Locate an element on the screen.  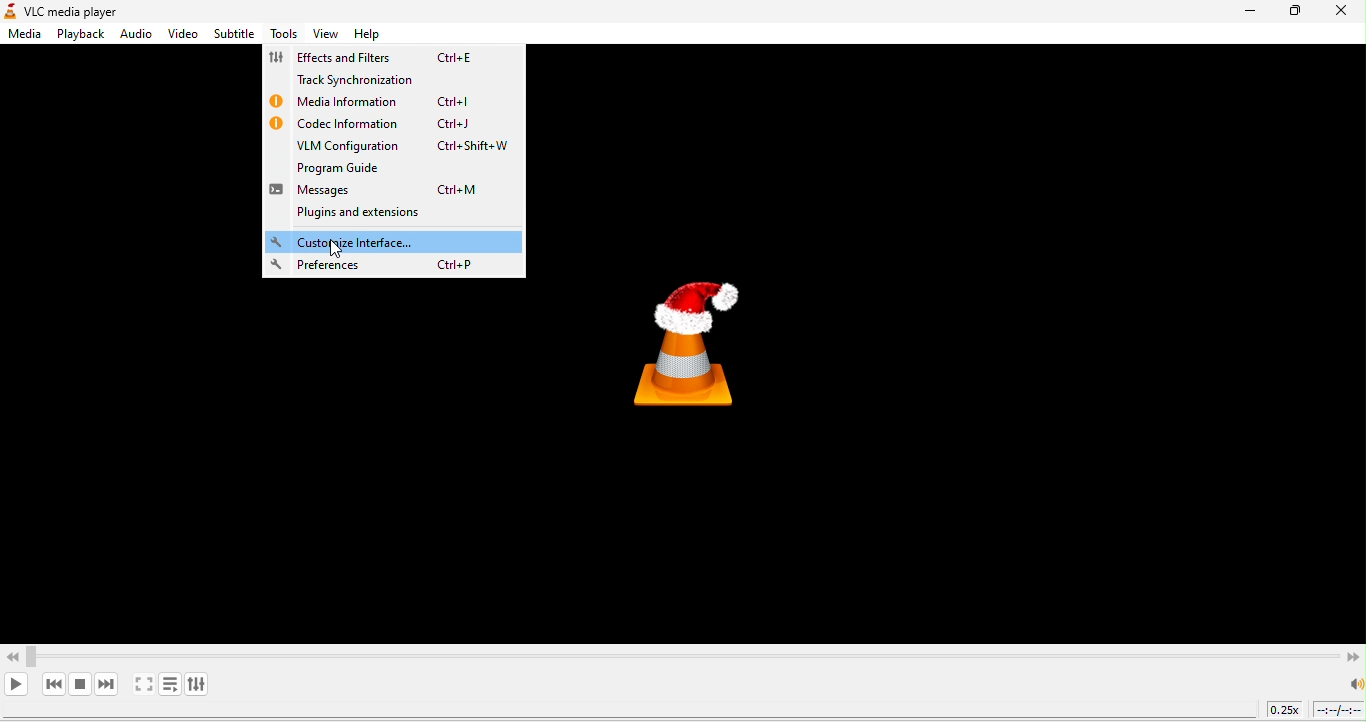
vlm configuration is located at coordinates (396, 147).